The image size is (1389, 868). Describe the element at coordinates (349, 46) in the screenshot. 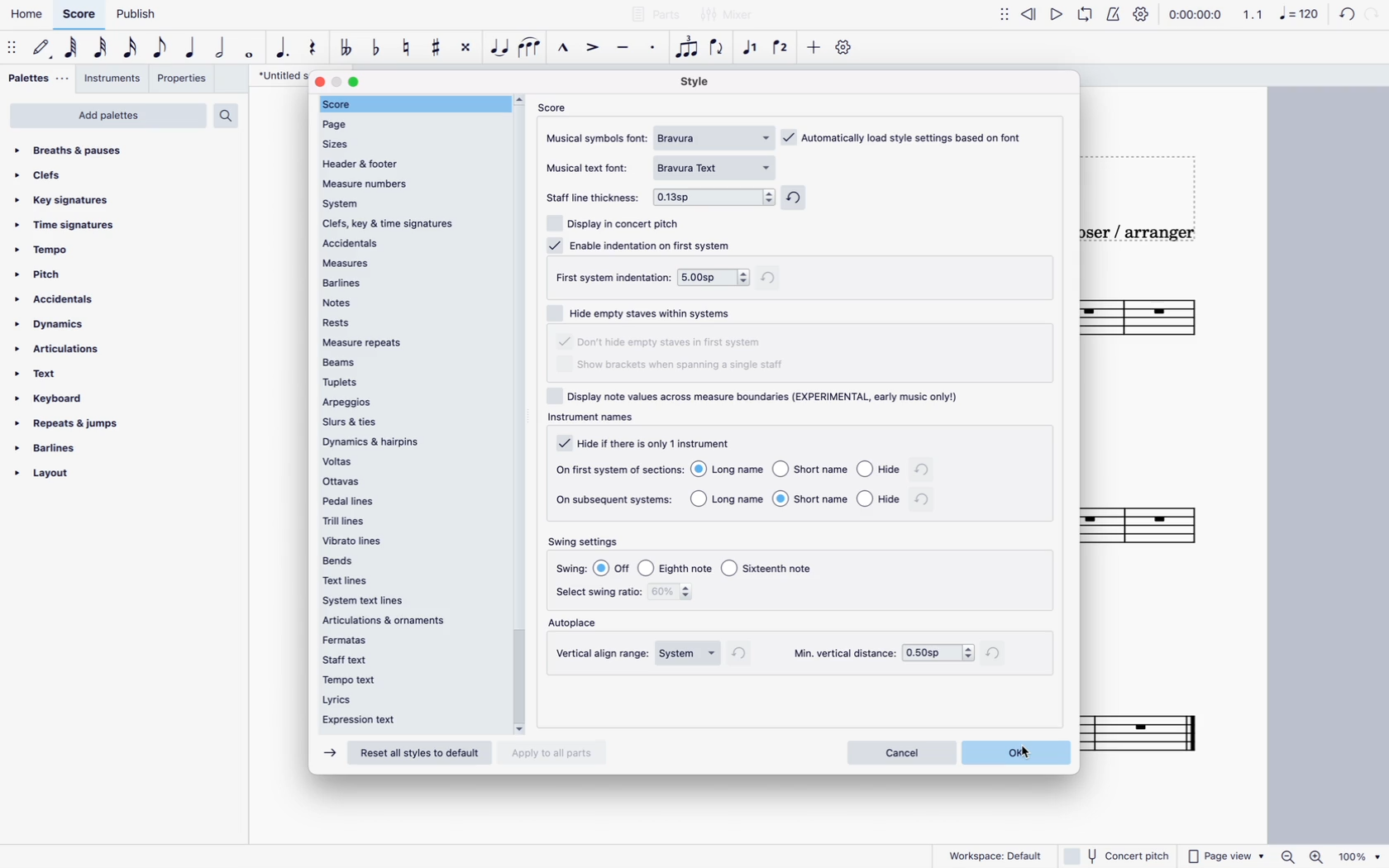

I see `tune` at that location.